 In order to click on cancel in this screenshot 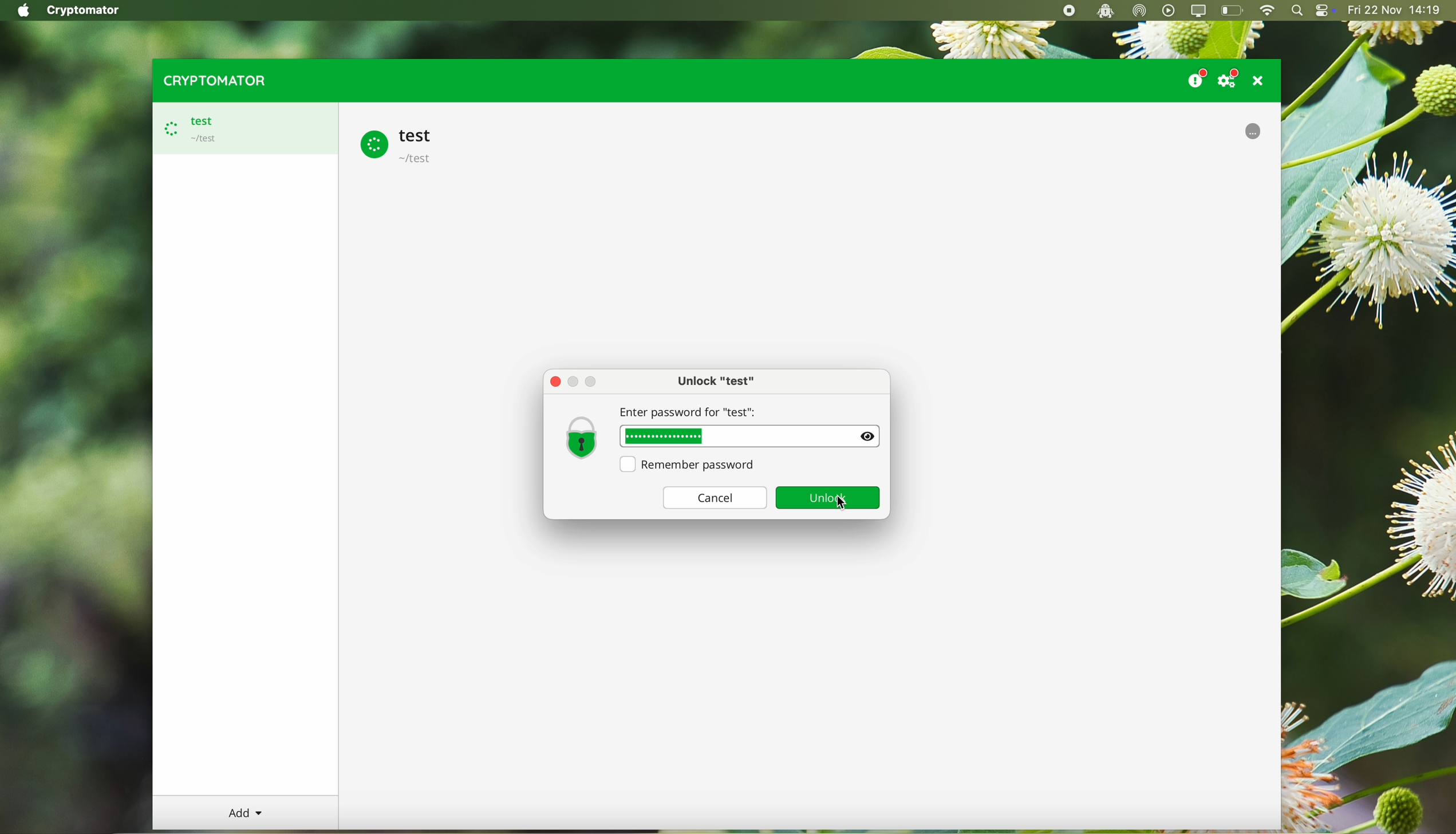, I will do `click(714, 497)`.